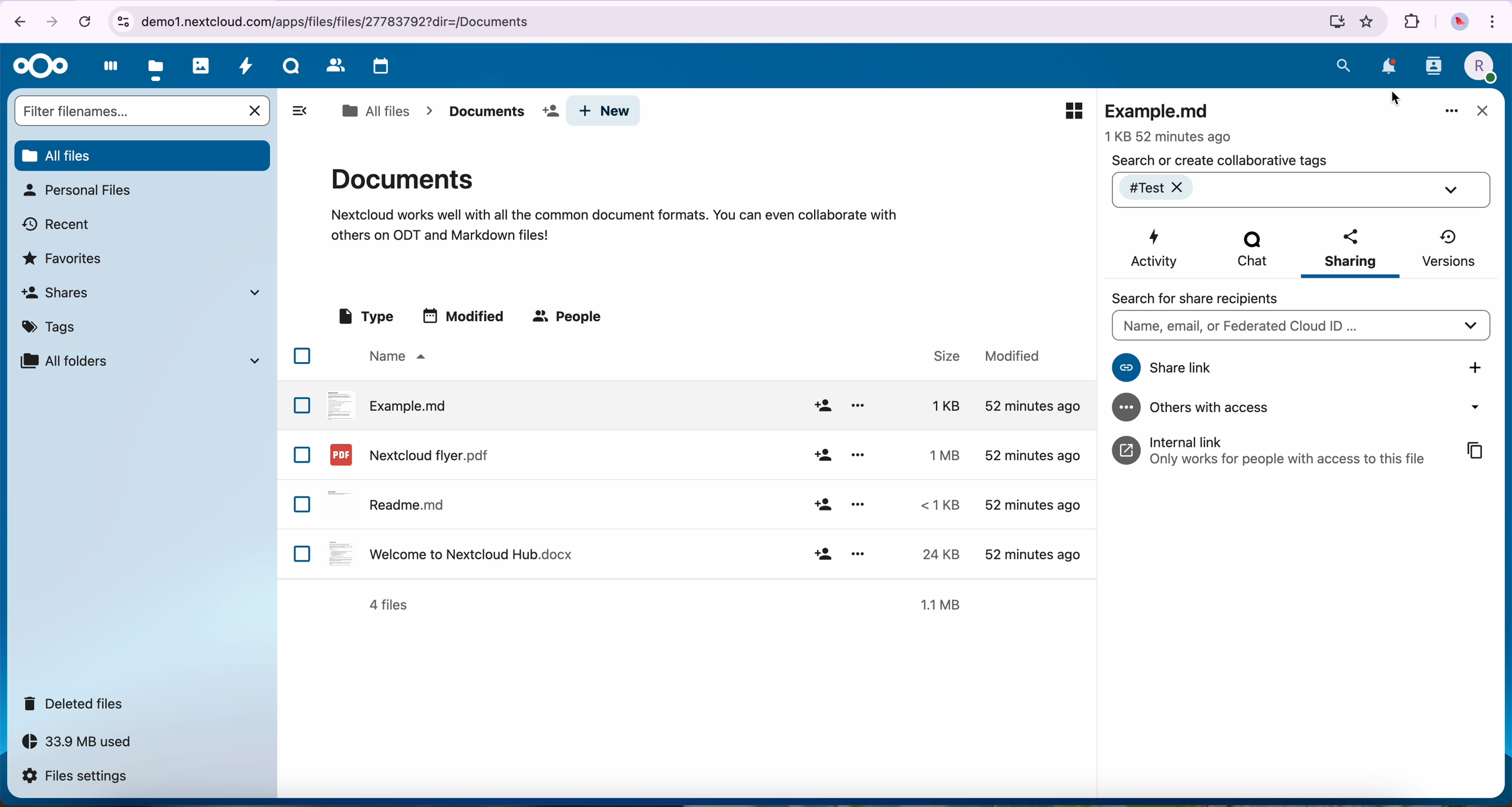 Image resolution: width=1512 pixels, height=807 pixels. What do you see at coordinates (58, 223) in the screenshot?
I see `recent` at bounding box center [58, 223].